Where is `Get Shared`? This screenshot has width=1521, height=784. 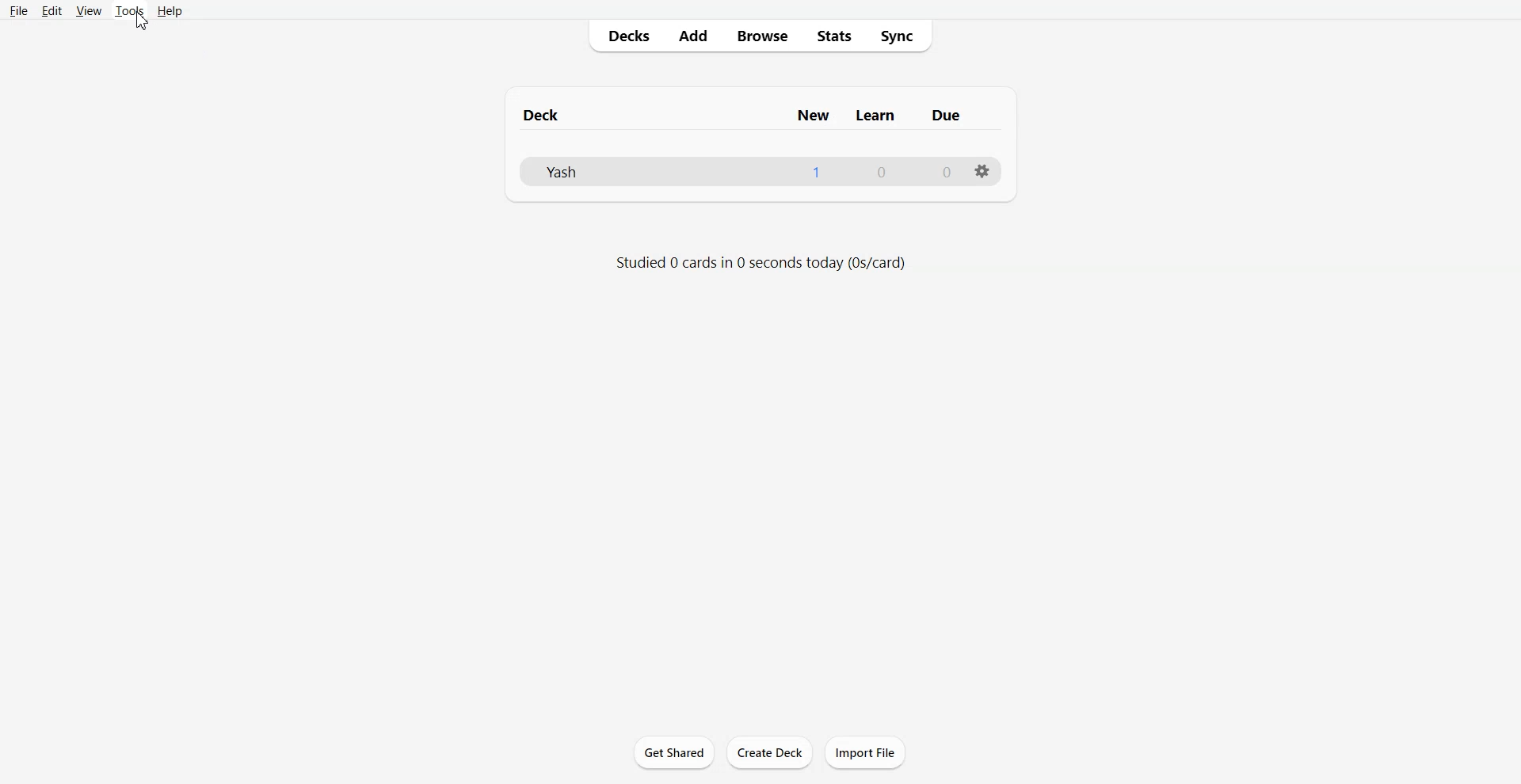
Get Shared is located at coordinates (673, 751).